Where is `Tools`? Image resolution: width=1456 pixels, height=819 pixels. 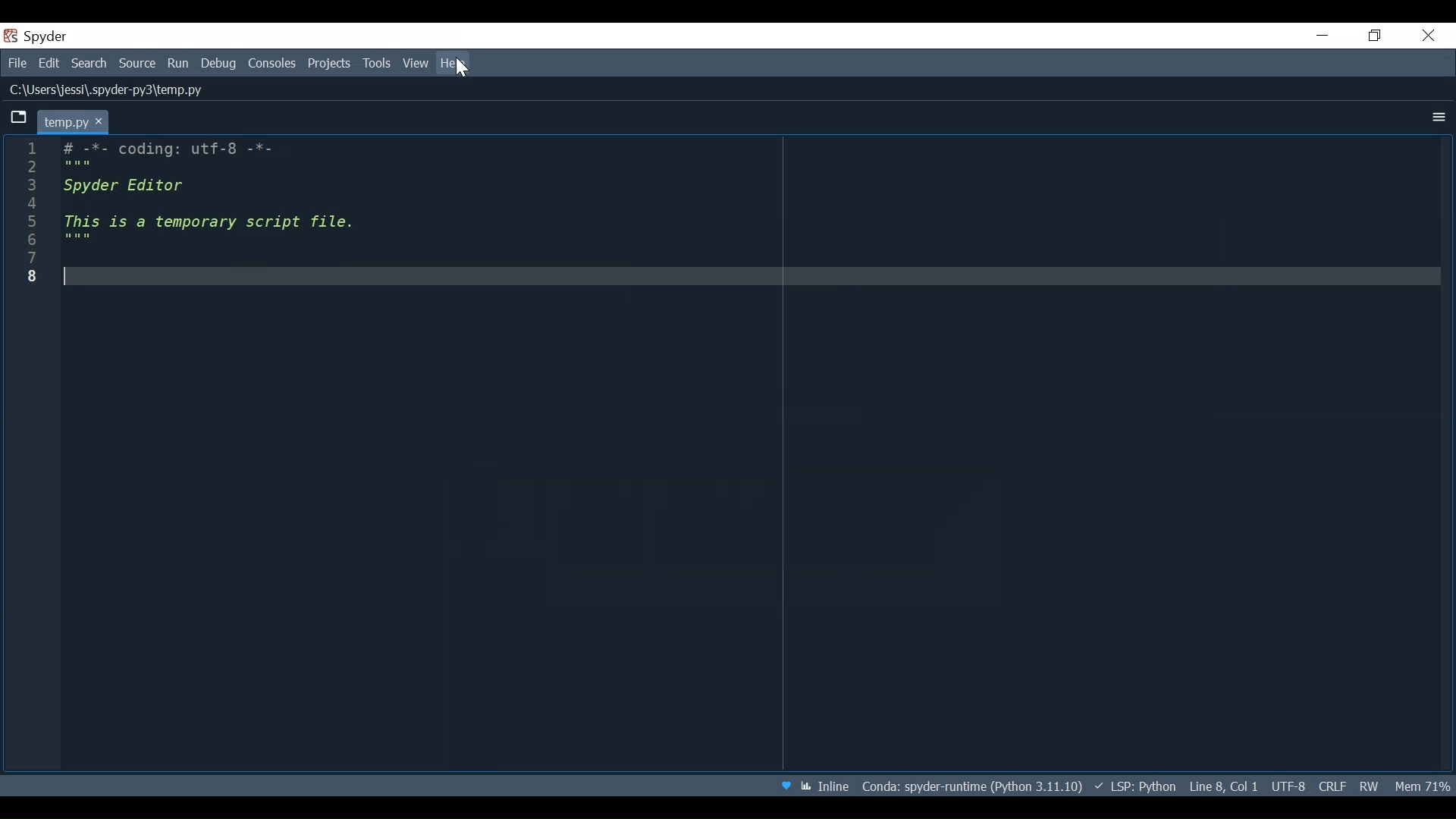 Tools is located at coordinates (376, 65).